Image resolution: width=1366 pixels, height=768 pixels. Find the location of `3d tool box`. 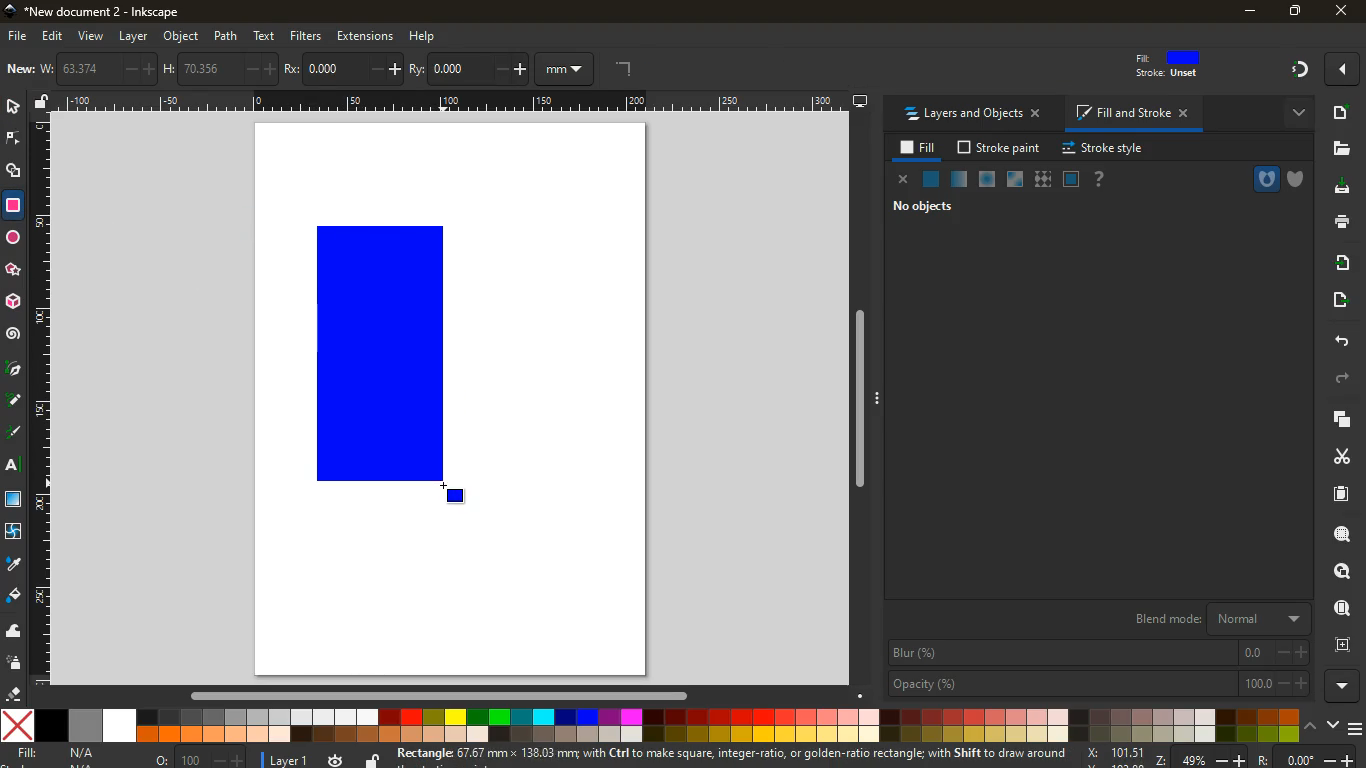

3d tool box is located at coordinates (13, 303).